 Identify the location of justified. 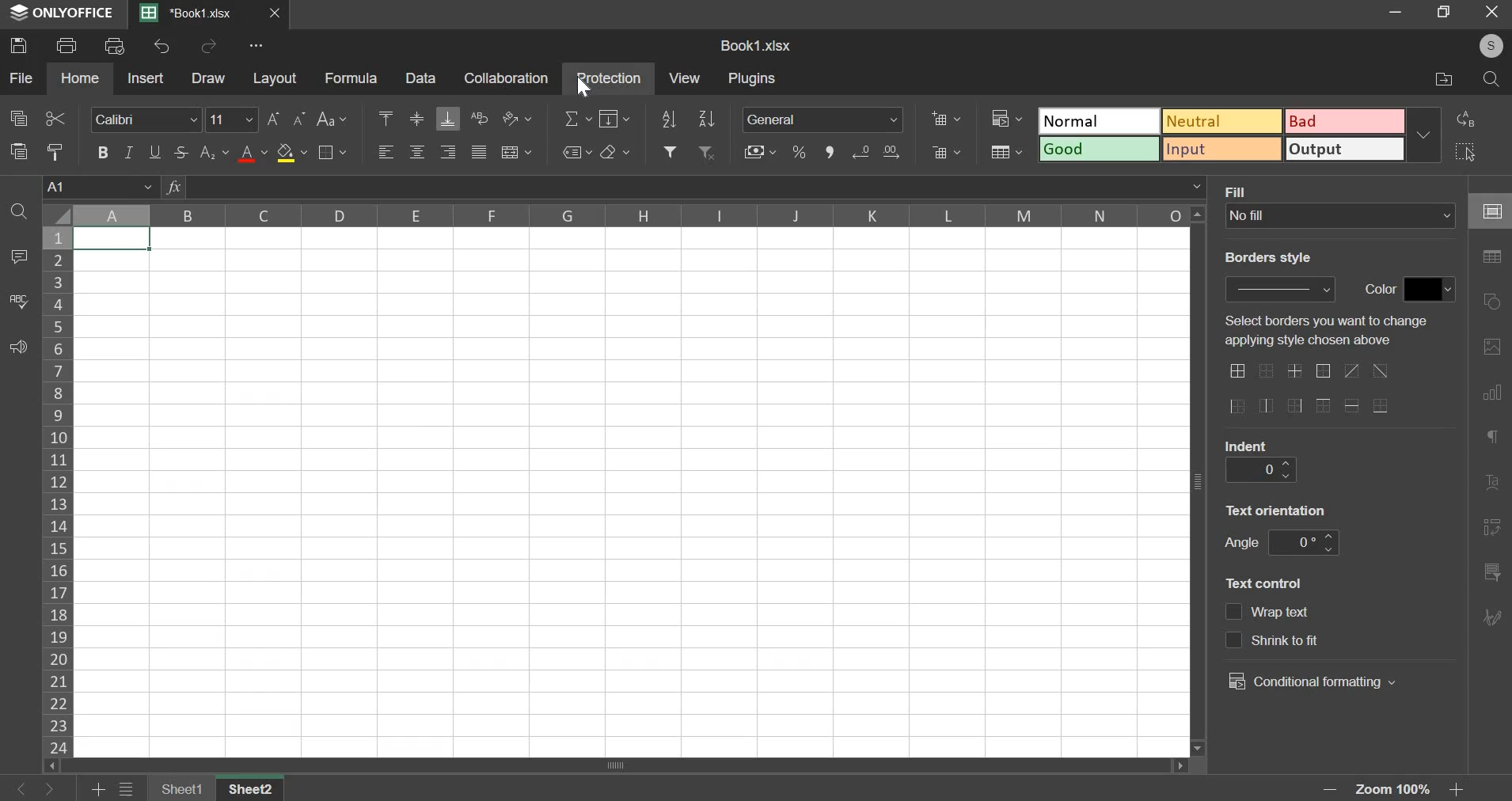
(479, 152).